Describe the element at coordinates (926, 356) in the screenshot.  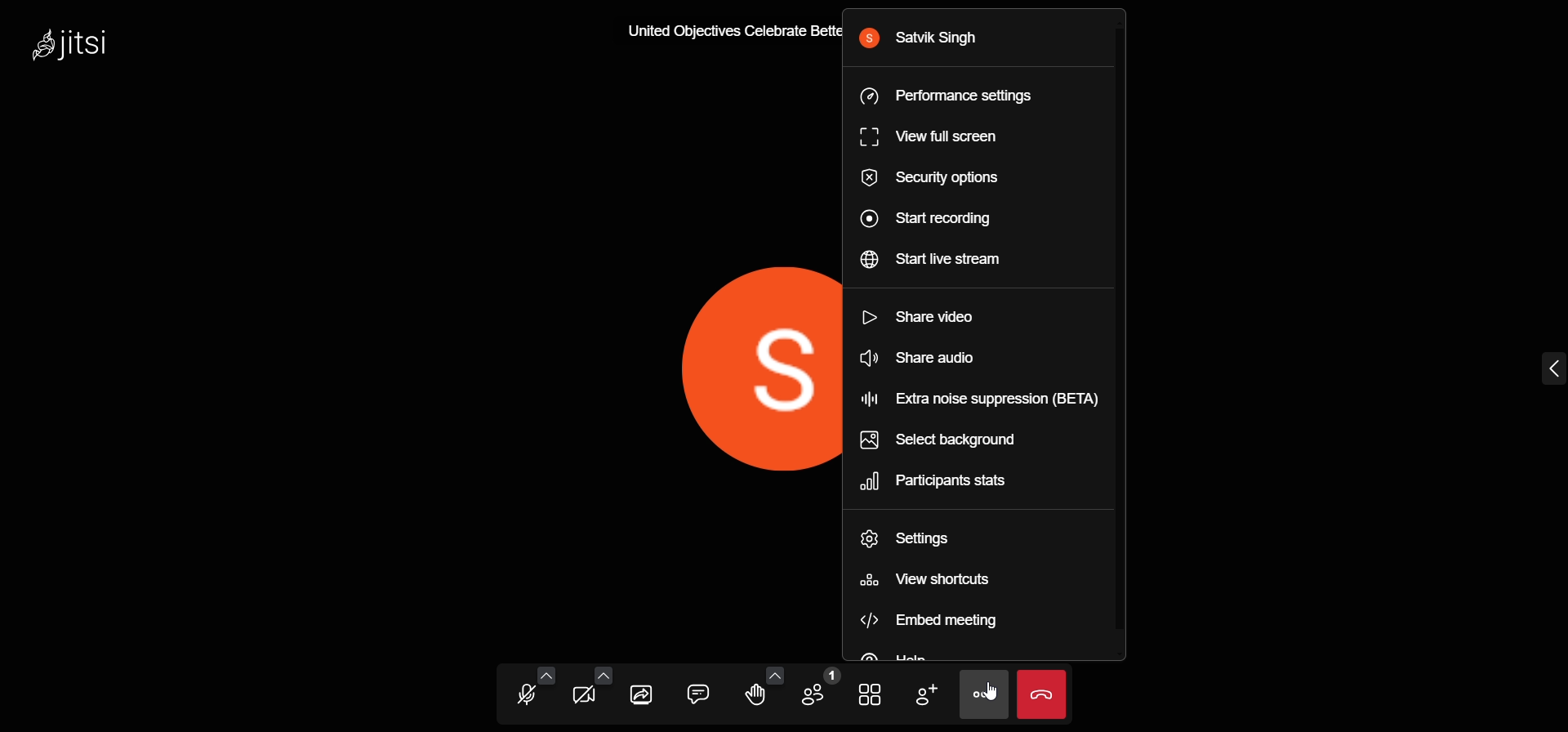
I see `share video` at that location.